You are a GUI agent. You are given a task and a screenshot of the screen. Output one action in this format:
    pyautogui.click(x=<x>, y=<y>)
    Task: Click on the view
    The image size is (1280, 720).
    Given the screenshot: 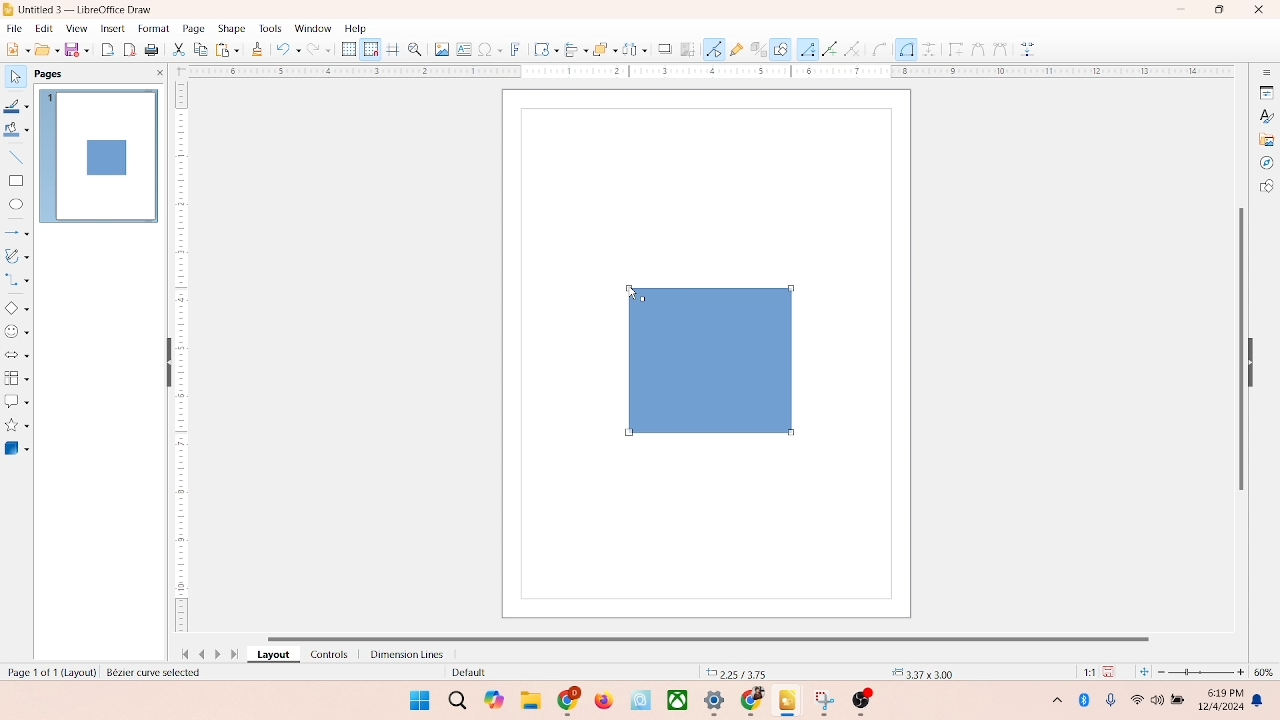 What is the action you would take?
    pyautogui.click(x=72, y=28)
    